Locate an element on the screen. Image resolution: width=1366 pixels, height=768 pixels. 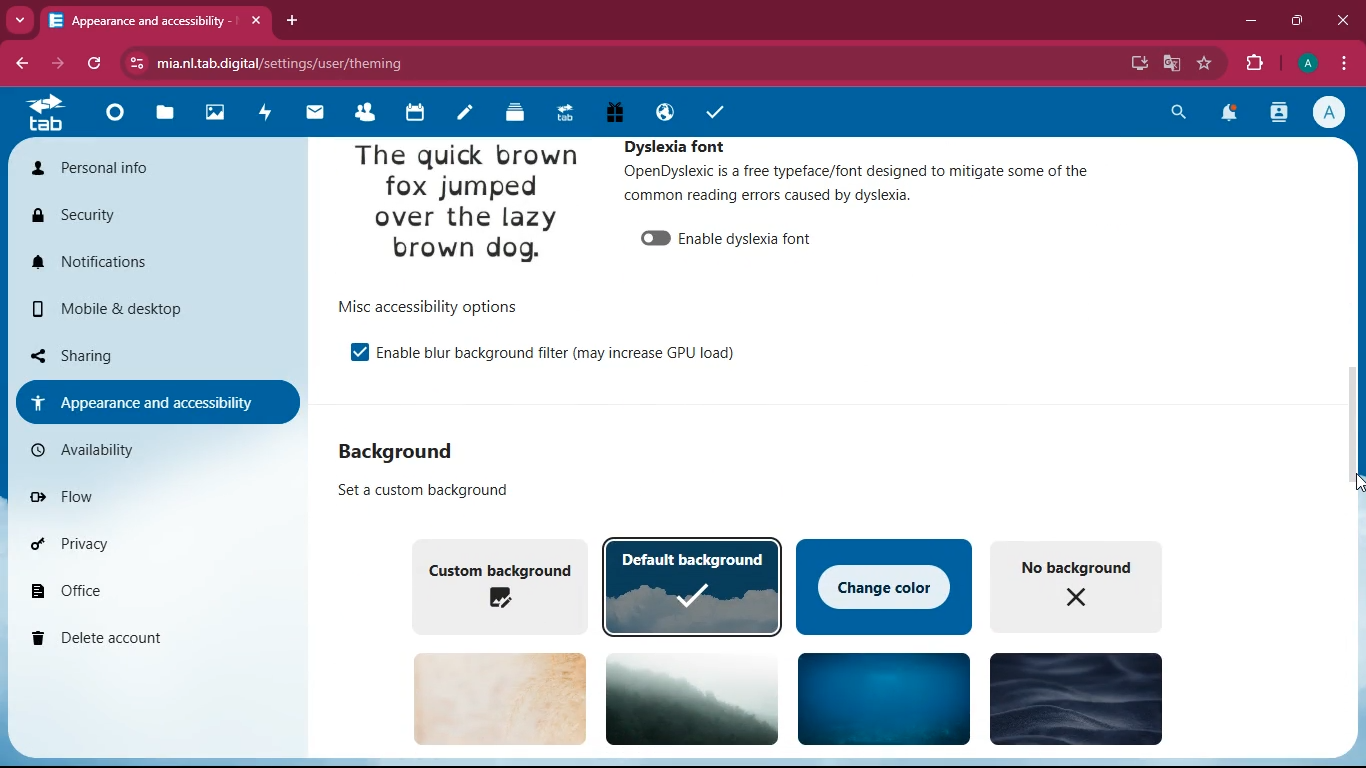
no background is located at coordinates (1085, 585).